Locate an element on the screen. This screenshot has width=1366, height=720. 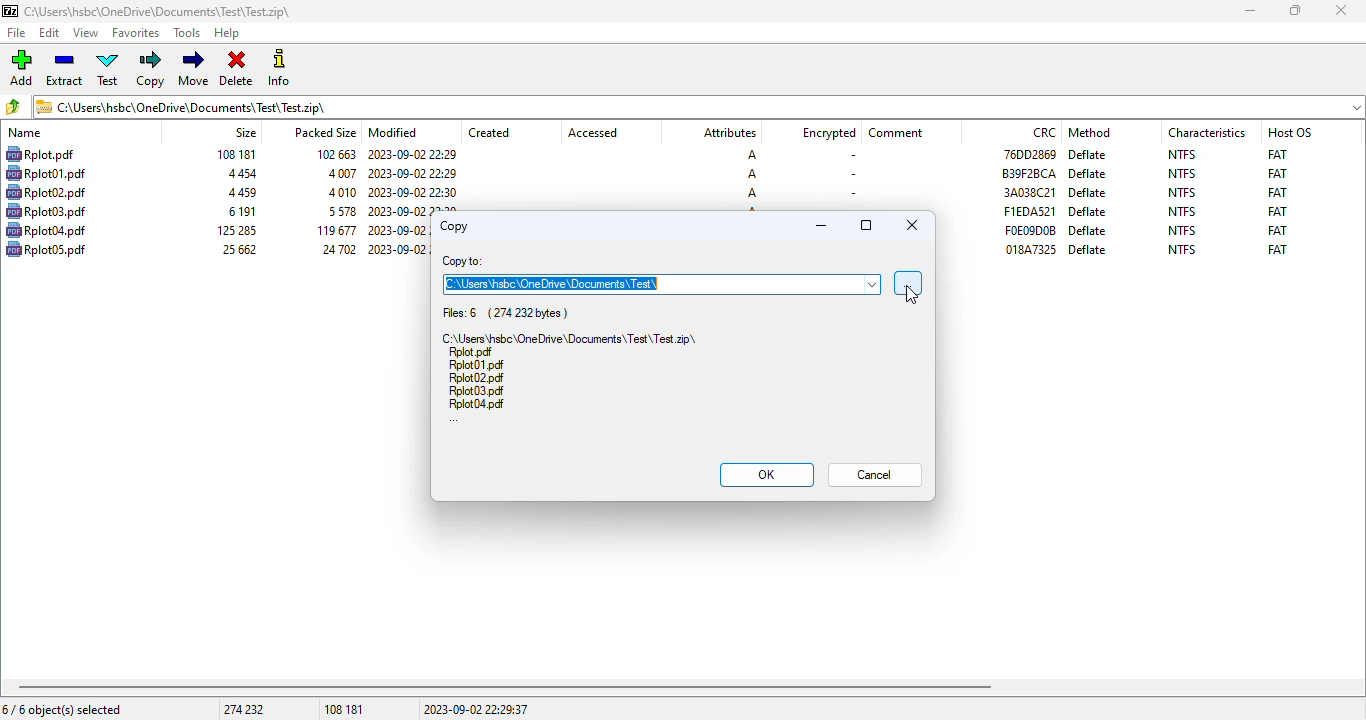
modified date & time is located at coordinates (414, 209).